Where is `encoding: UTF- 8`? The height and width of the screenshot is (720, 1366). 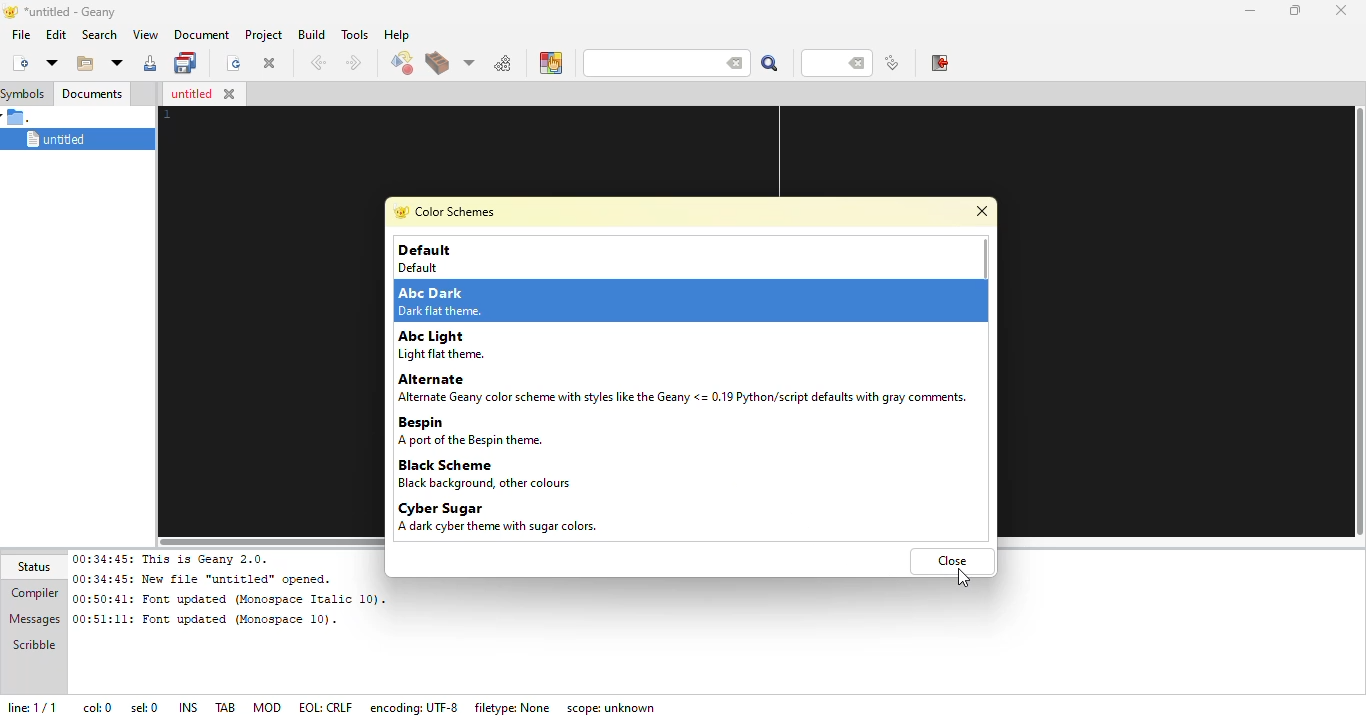
encoding: UTF- 8 is located at coordinates (417, 707).